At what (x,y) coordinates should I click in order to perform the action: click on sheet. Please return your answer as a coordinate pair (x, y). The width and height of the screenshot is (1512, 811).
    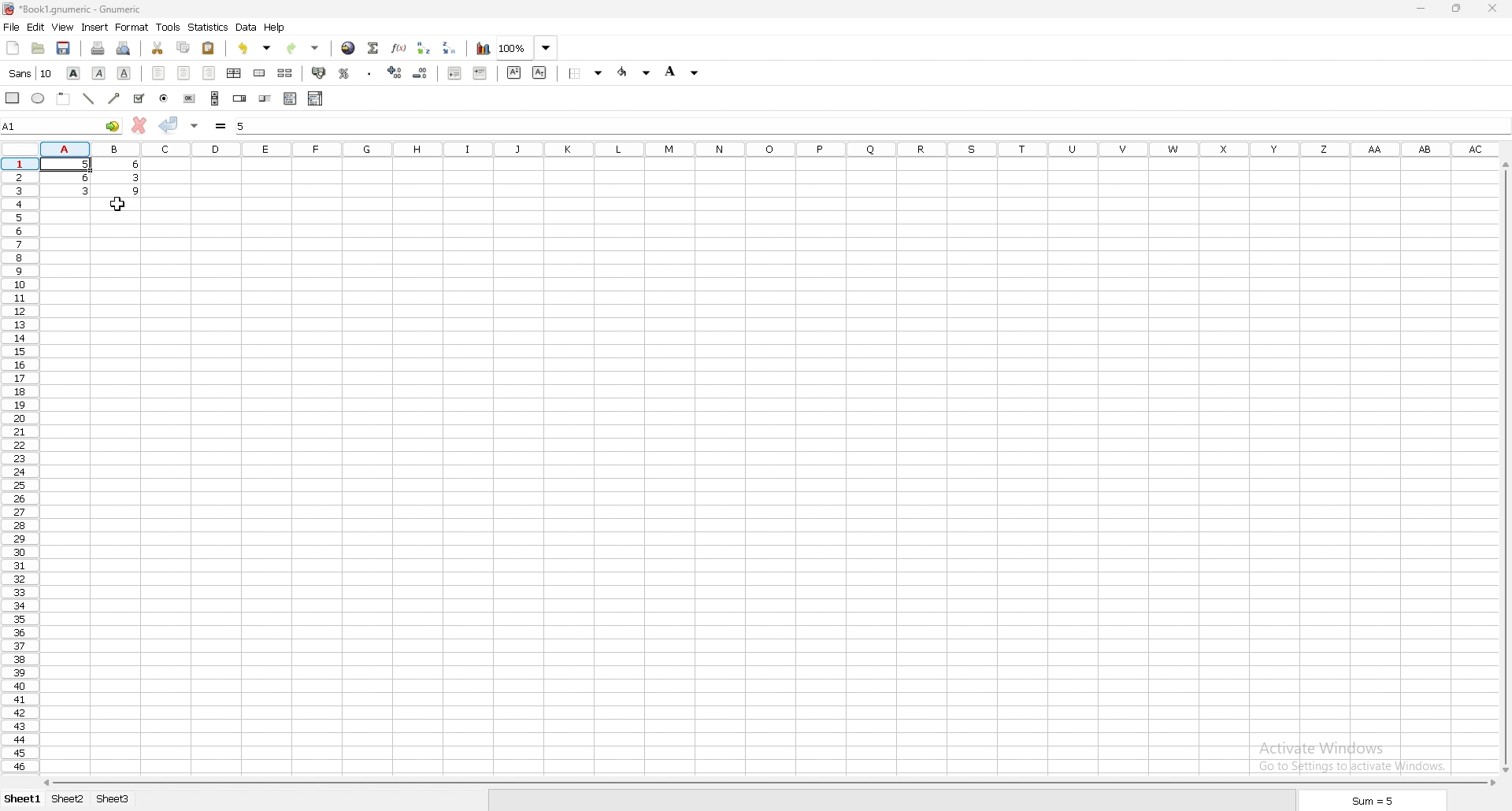
    Looking at the image, I should click on (112, 798).